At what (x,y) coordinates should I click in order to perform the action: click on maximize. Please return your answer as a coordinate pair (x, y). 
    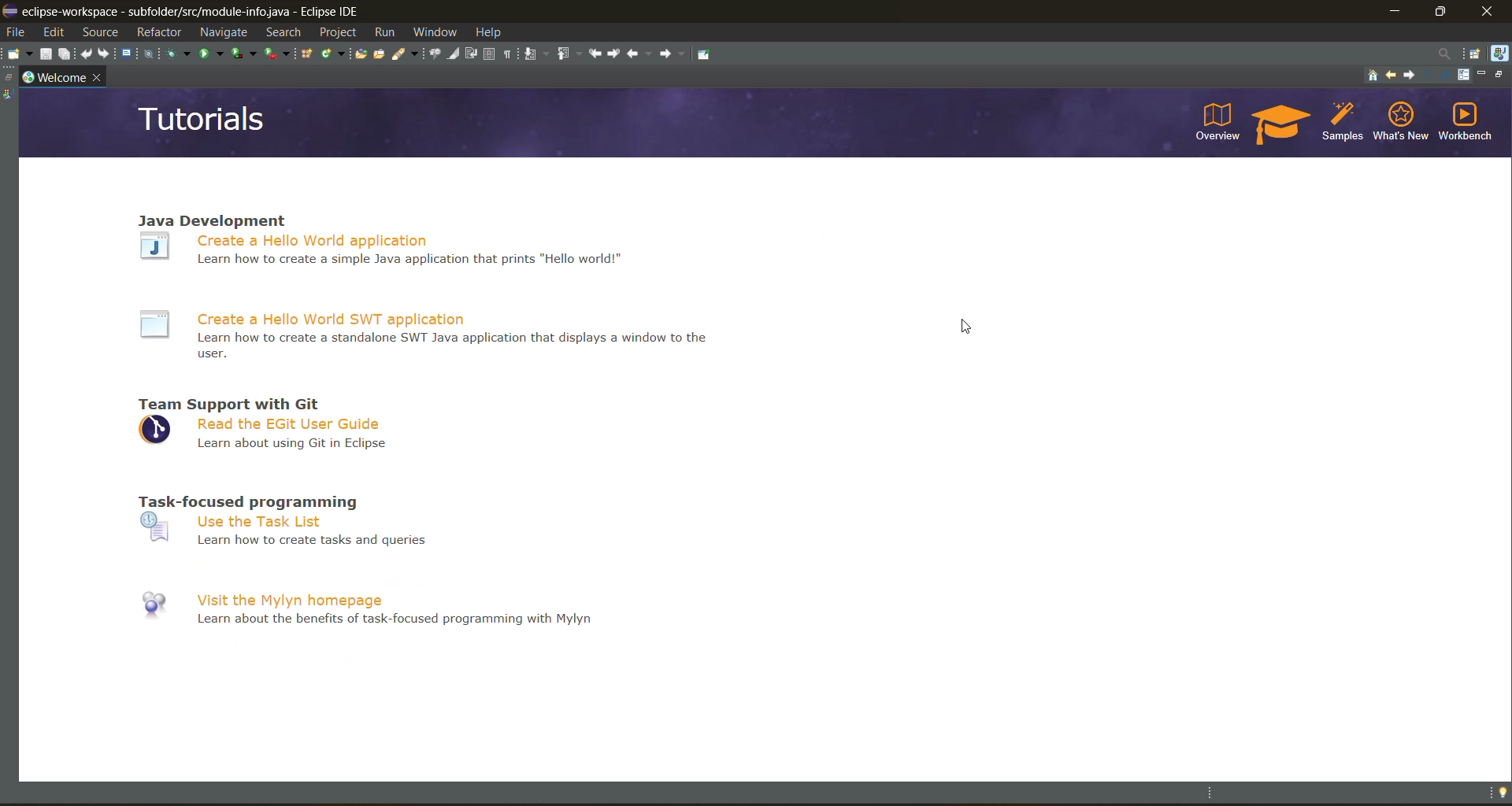
    Looking at the image, I should click on (1443, 9).